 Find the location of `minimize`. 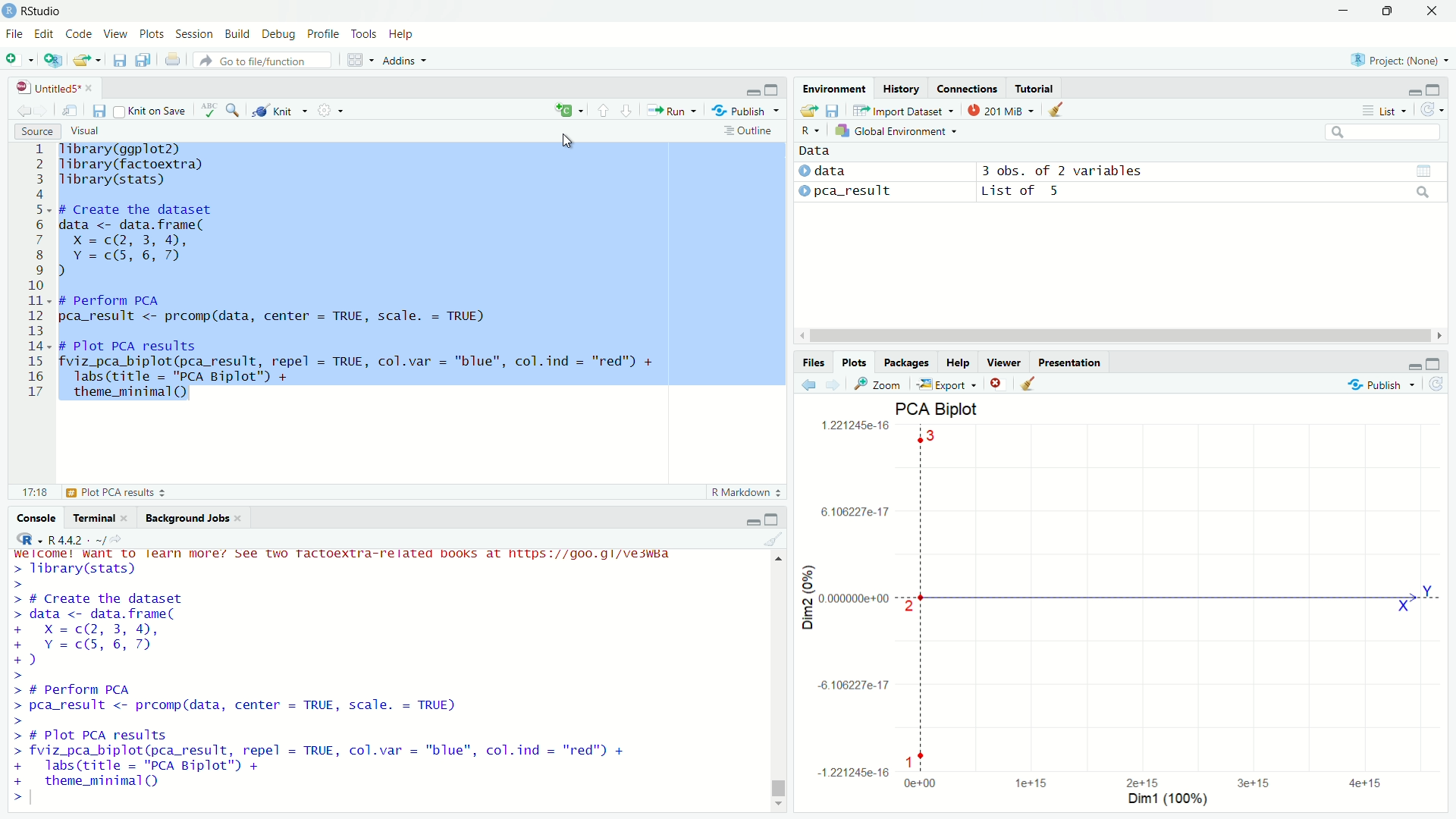

minimize is located at coordinates (754, 90).